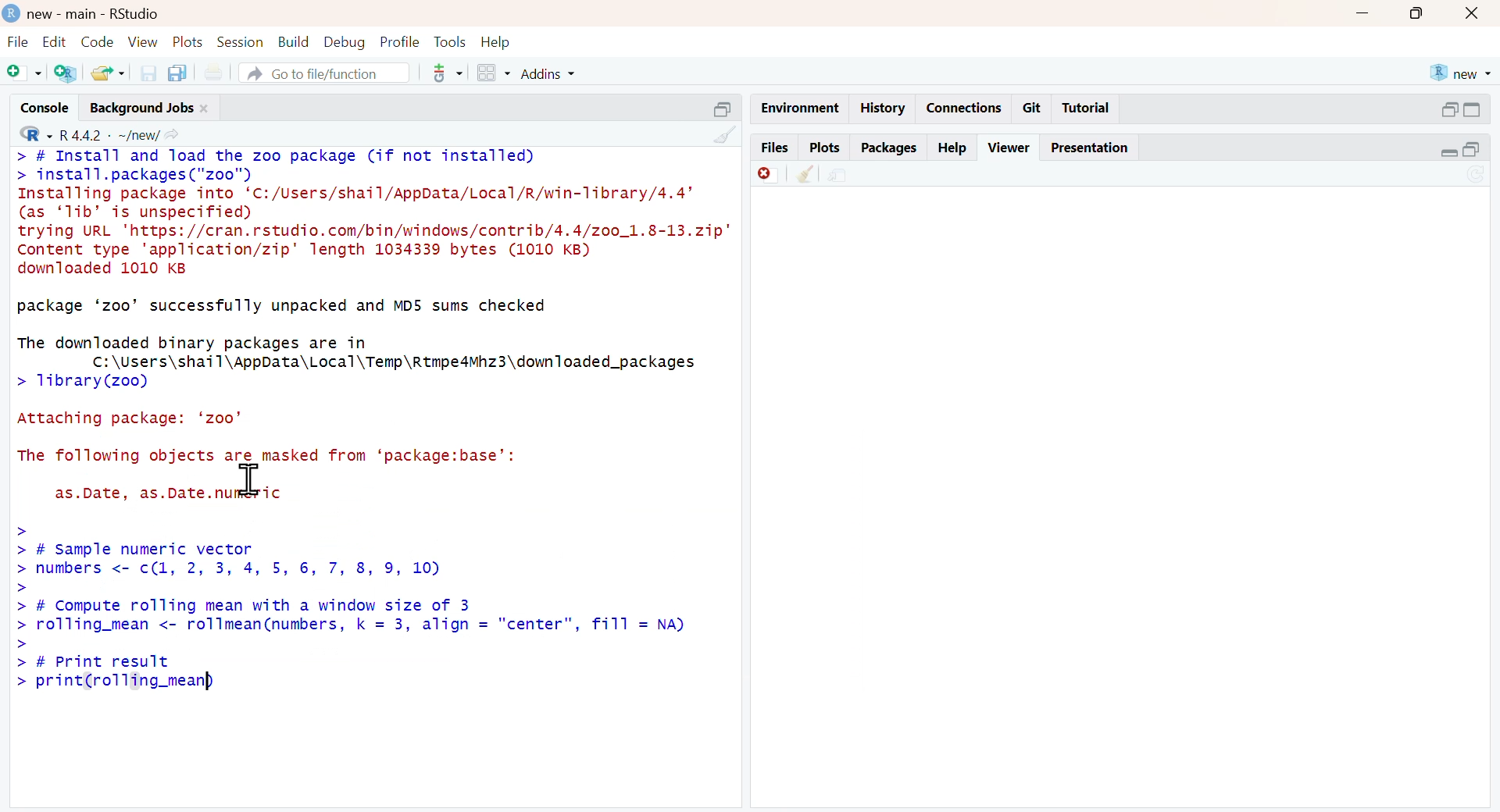 The width and height of the screenshot is (1500, 812). I want to click on open in separate window, so click(1471, 149).